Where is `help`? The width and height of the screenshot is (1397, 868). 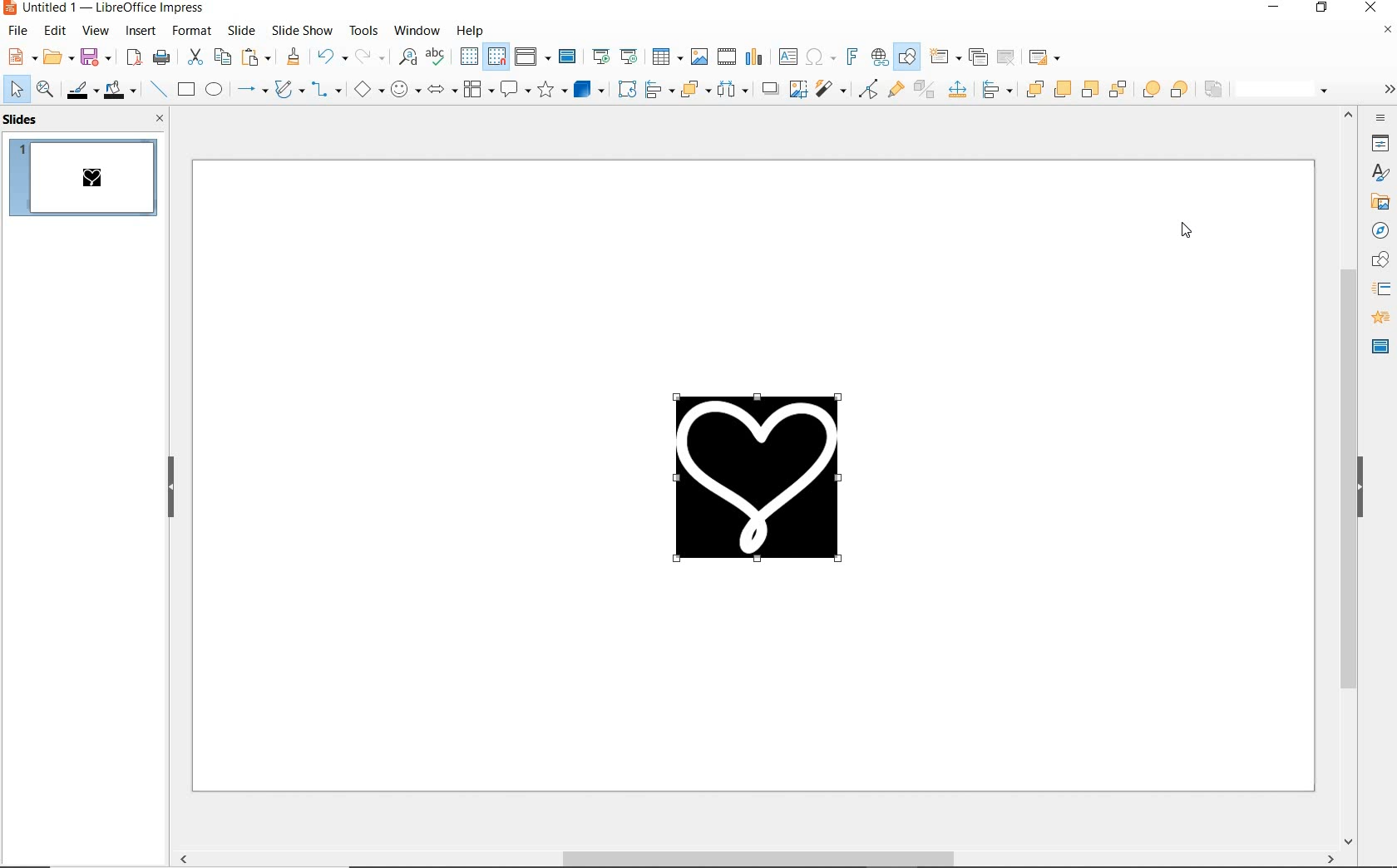
help is located at coordinates (469, 32).